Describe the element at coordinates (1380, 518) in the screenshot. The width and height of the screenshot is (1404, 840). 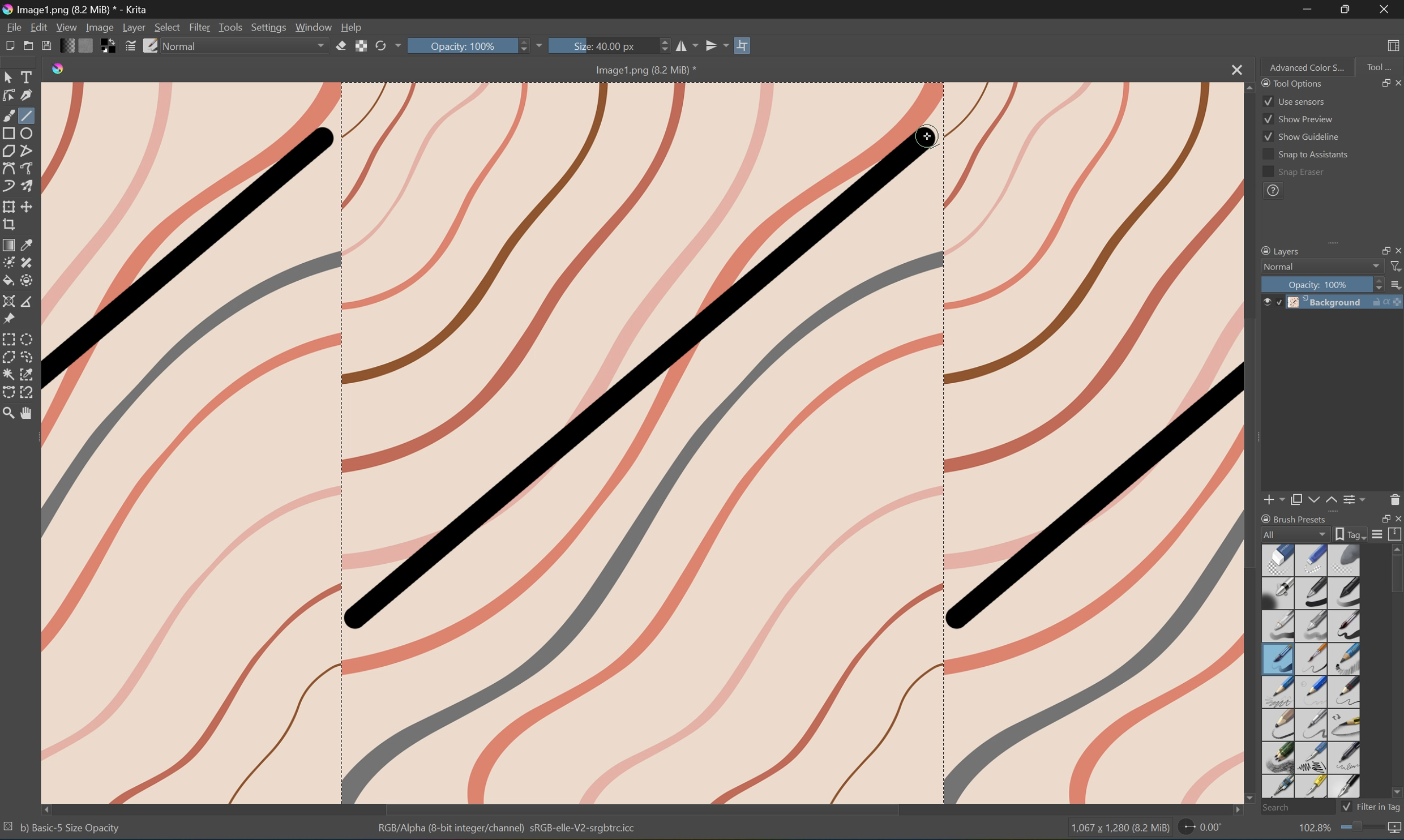
I see `Restore Down` at that location.